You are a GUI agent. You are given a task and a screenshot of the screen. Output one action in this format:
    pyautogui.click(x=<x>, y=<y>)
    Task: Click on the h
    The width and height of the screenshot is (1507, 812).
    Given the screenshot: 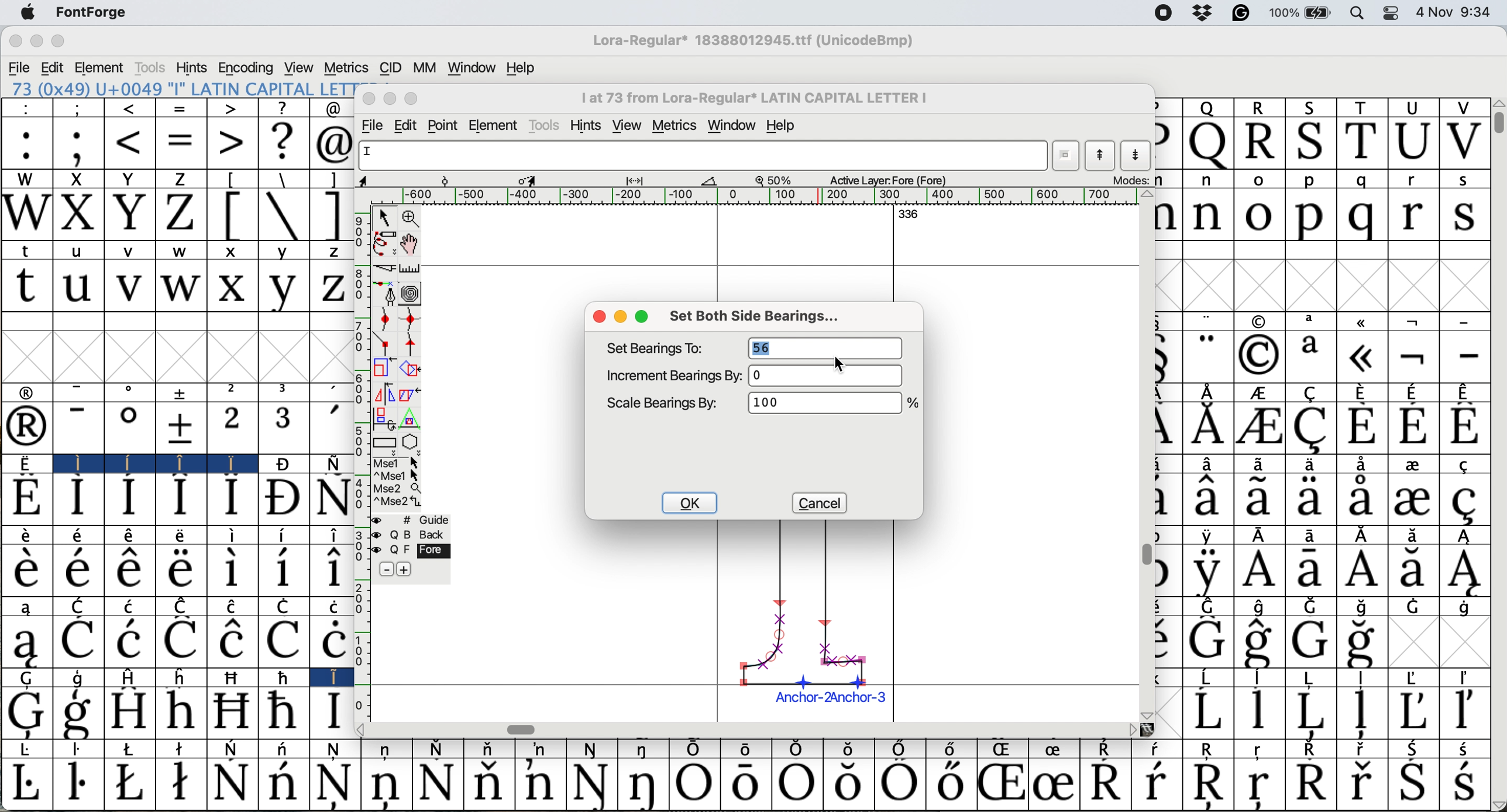 What is the action you would take?
    pyautogui.click(x=184, y=677)
    